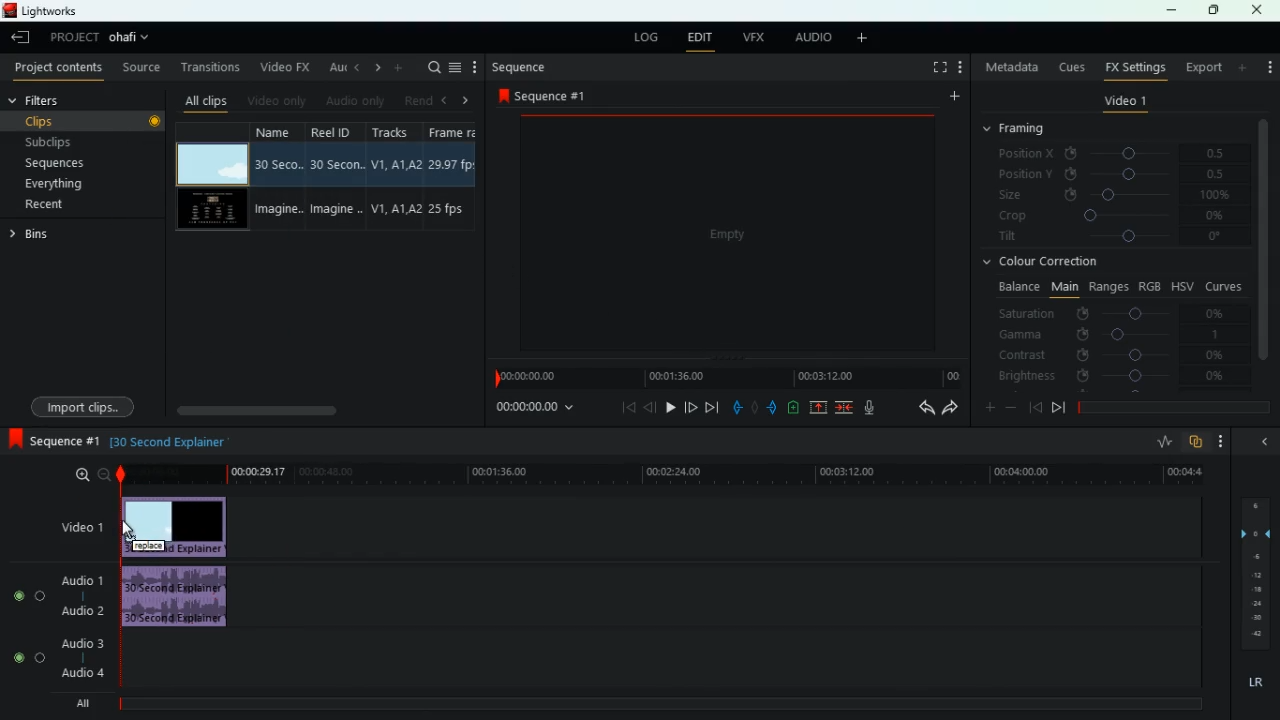 This screenshot has width=1280, height=720. I want to click on bins, so click(33, 237).